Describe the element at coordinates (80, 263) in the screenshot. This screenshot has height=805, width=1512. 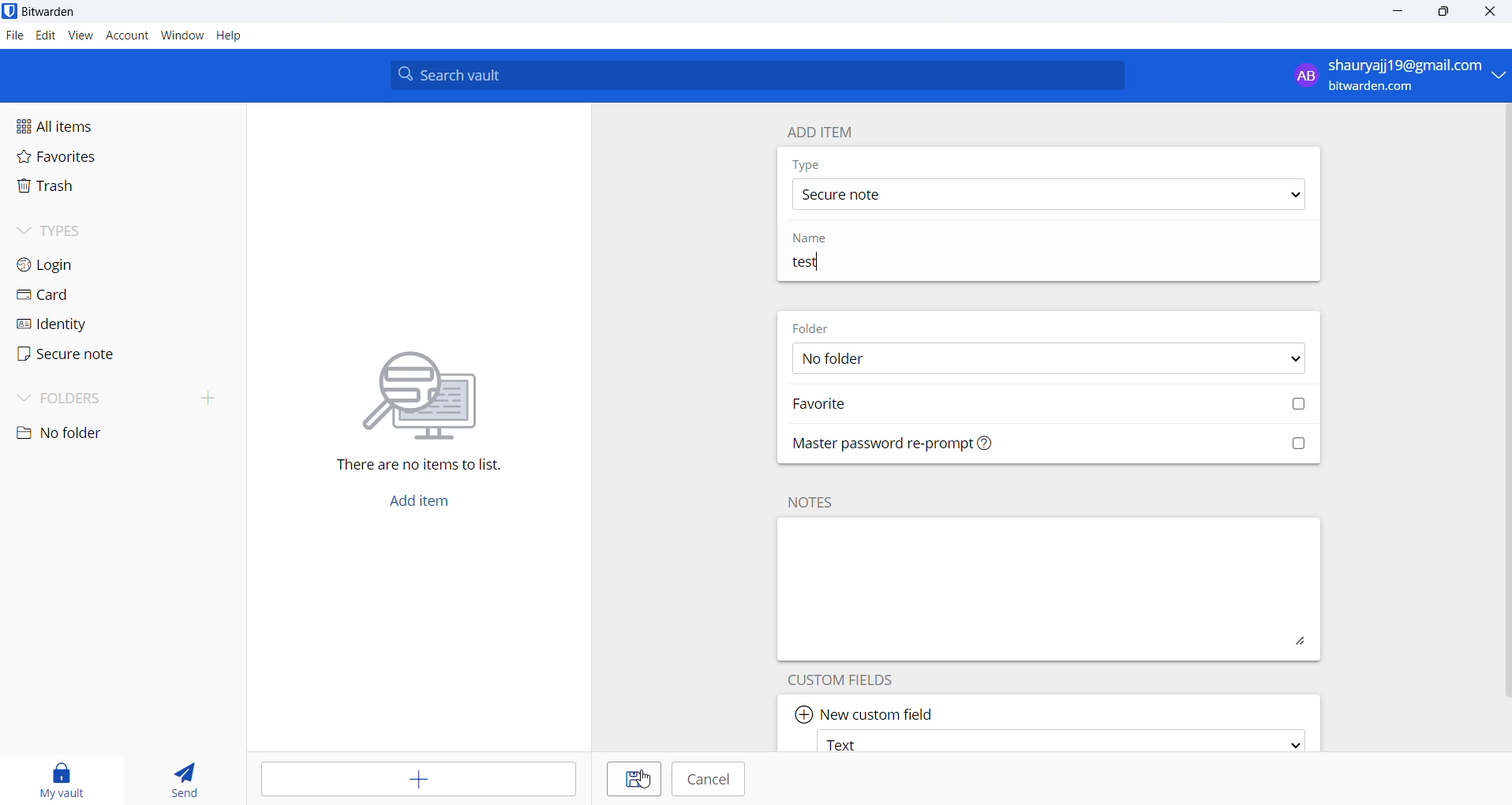
I see `login` at that location.